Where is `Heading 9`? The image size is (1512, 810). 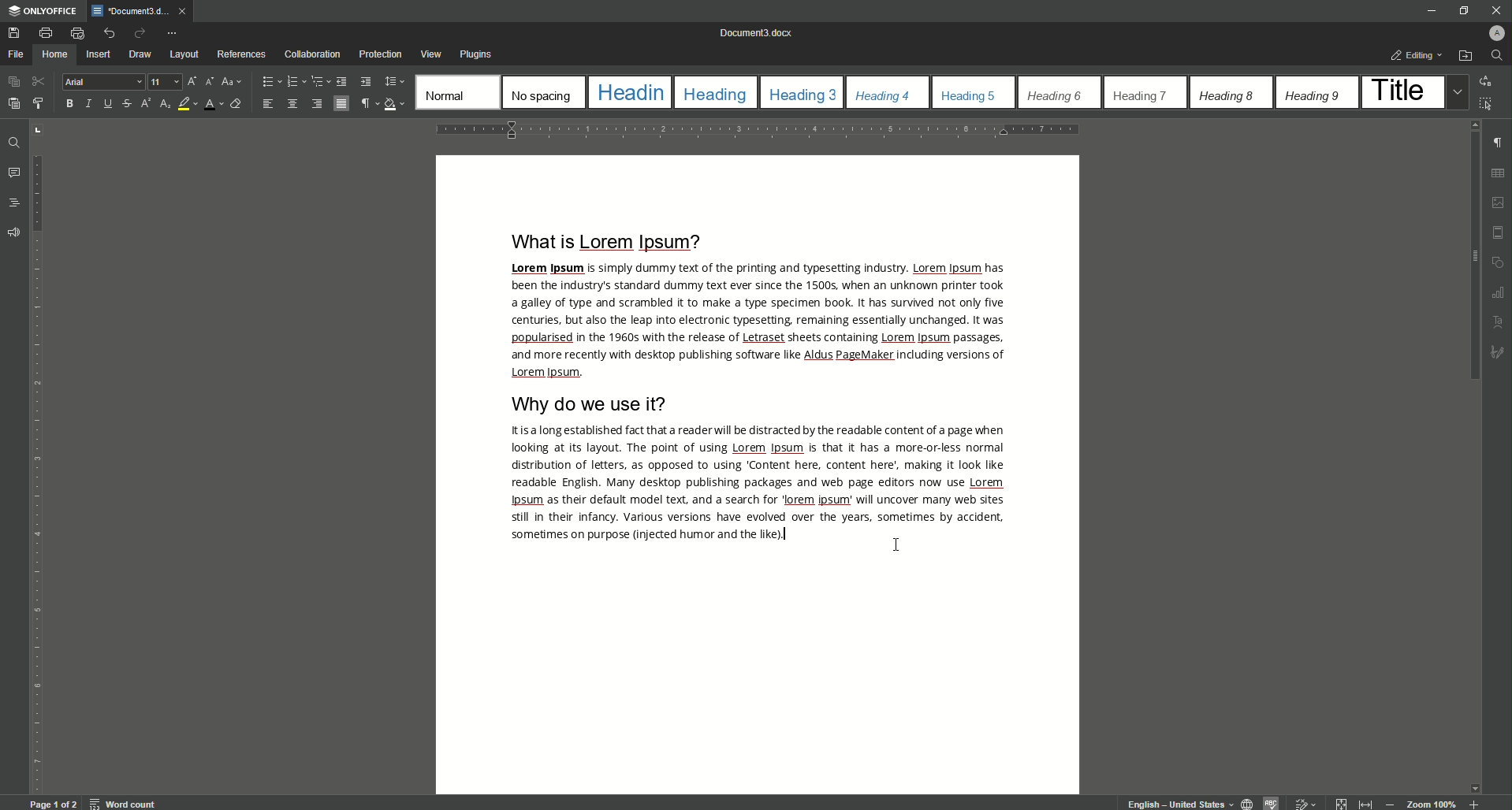
Heading 9 is located at coordinates (1313, 96).